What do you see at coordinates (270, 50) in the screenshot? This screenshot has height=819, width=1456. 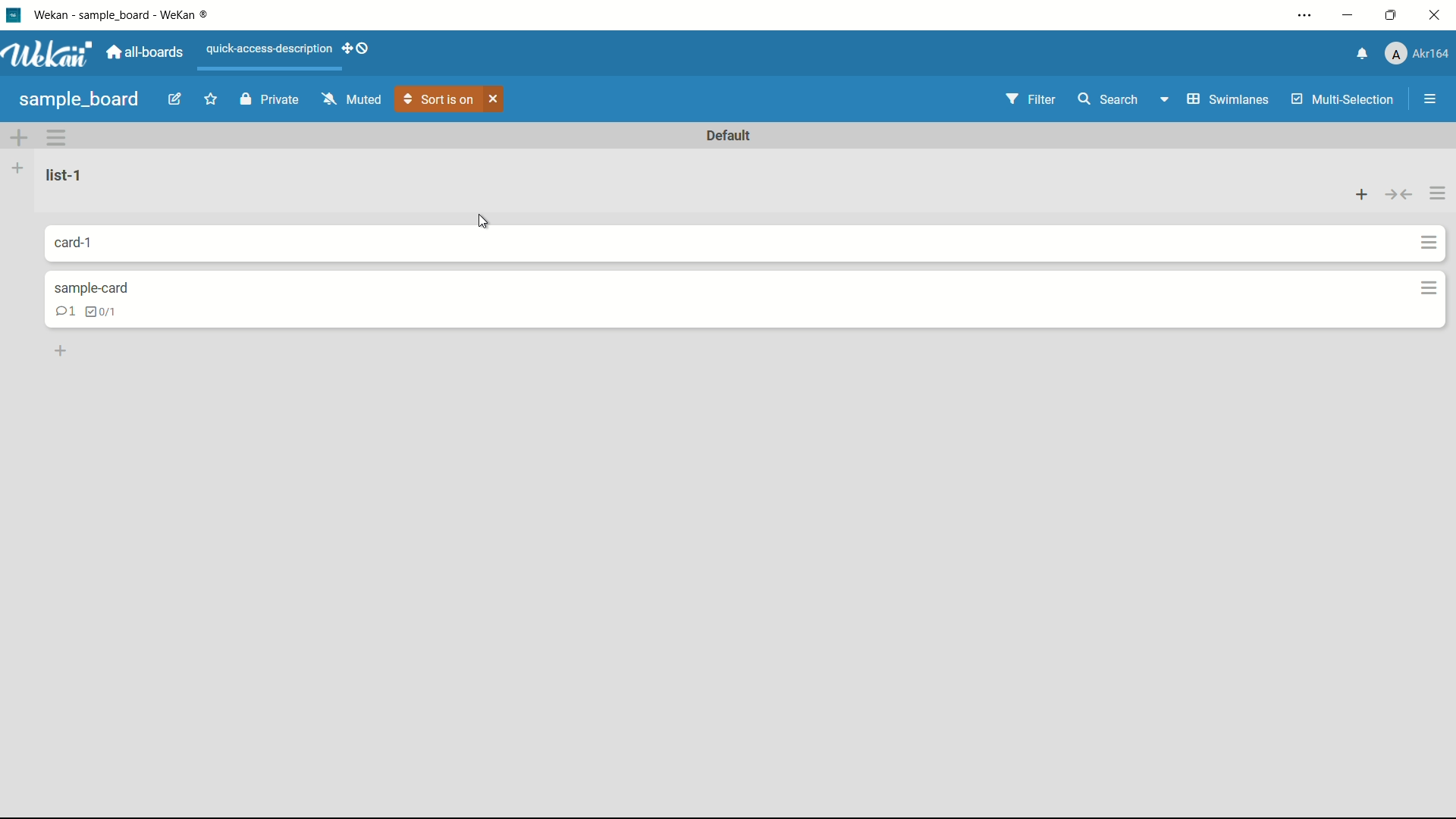 I see `quick-access-description` at bounding box center [270, 50].